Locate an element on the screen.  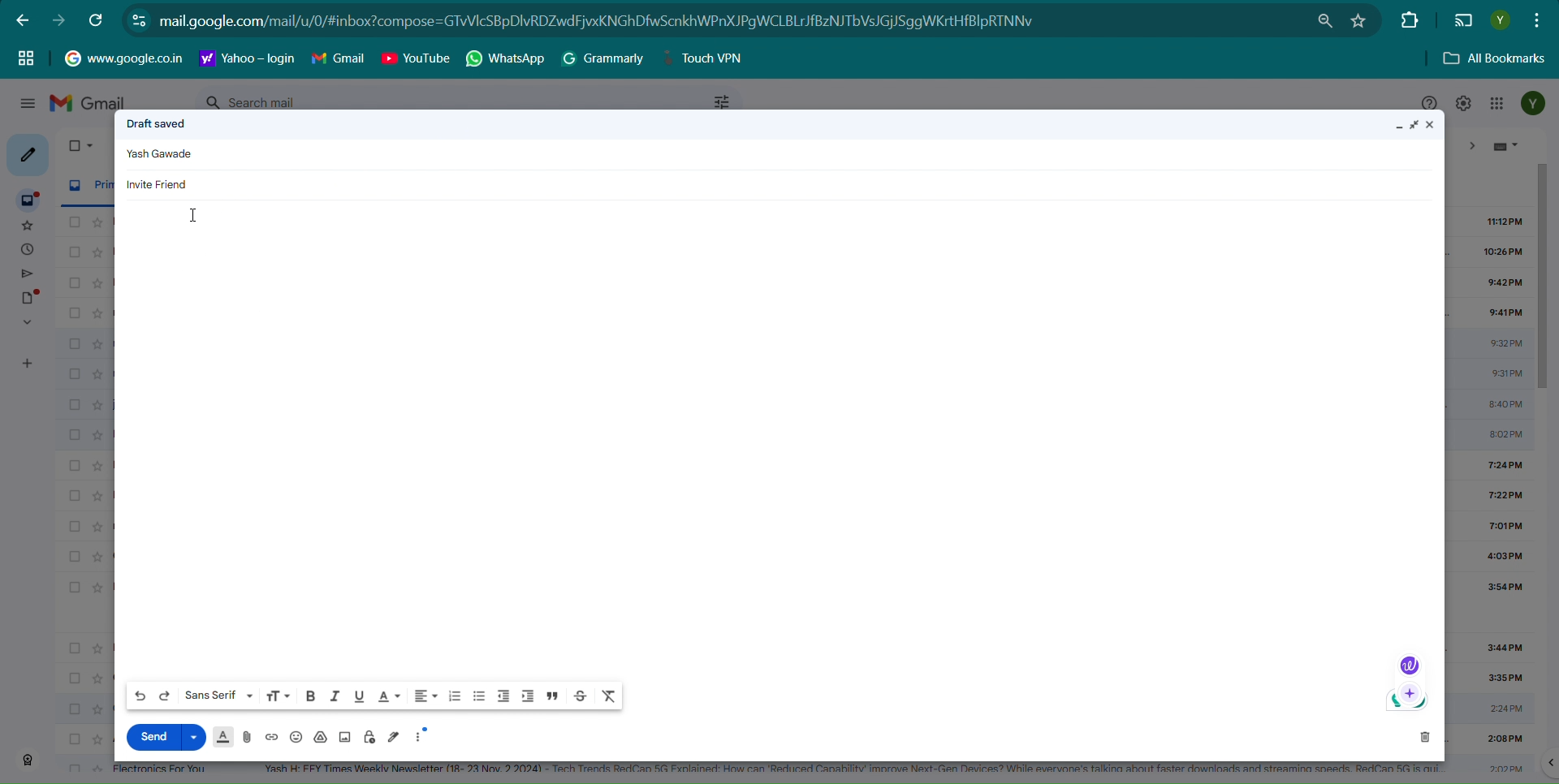
Formatting option is located at coordinates (223, 737).